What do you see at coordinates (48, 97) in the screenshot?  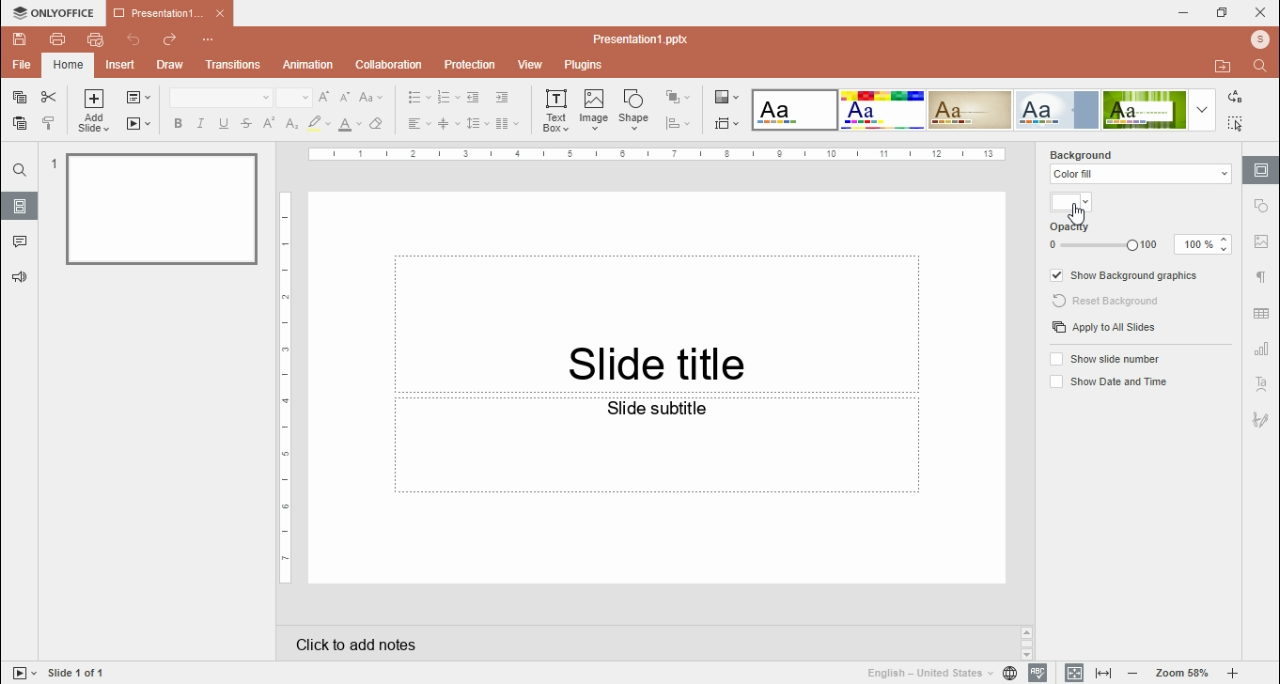 I see `cut` at bounding box center [48, 97].